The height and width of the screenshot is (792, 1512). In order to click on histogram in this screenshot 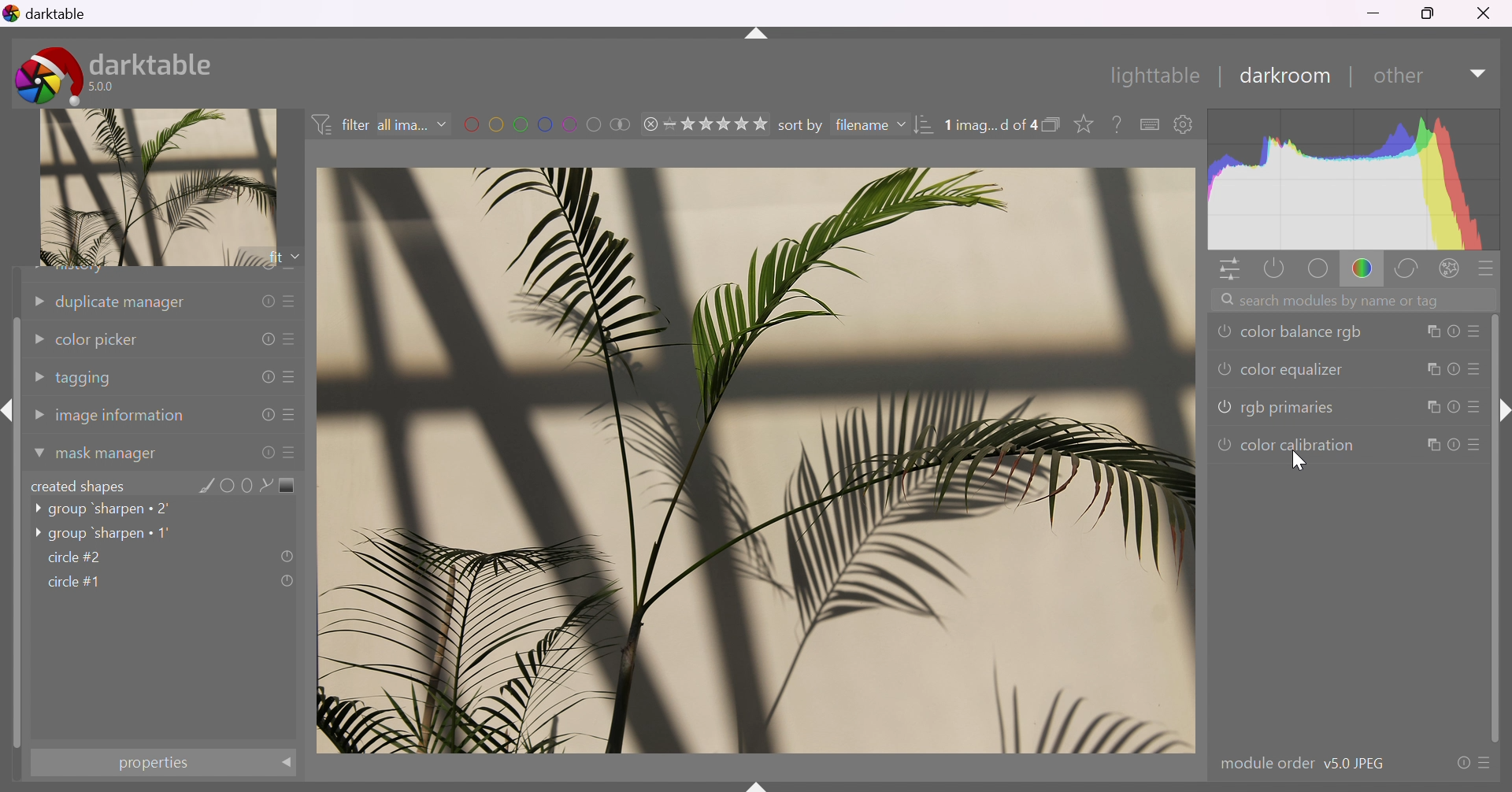, I will do `click(1351, 180)`.